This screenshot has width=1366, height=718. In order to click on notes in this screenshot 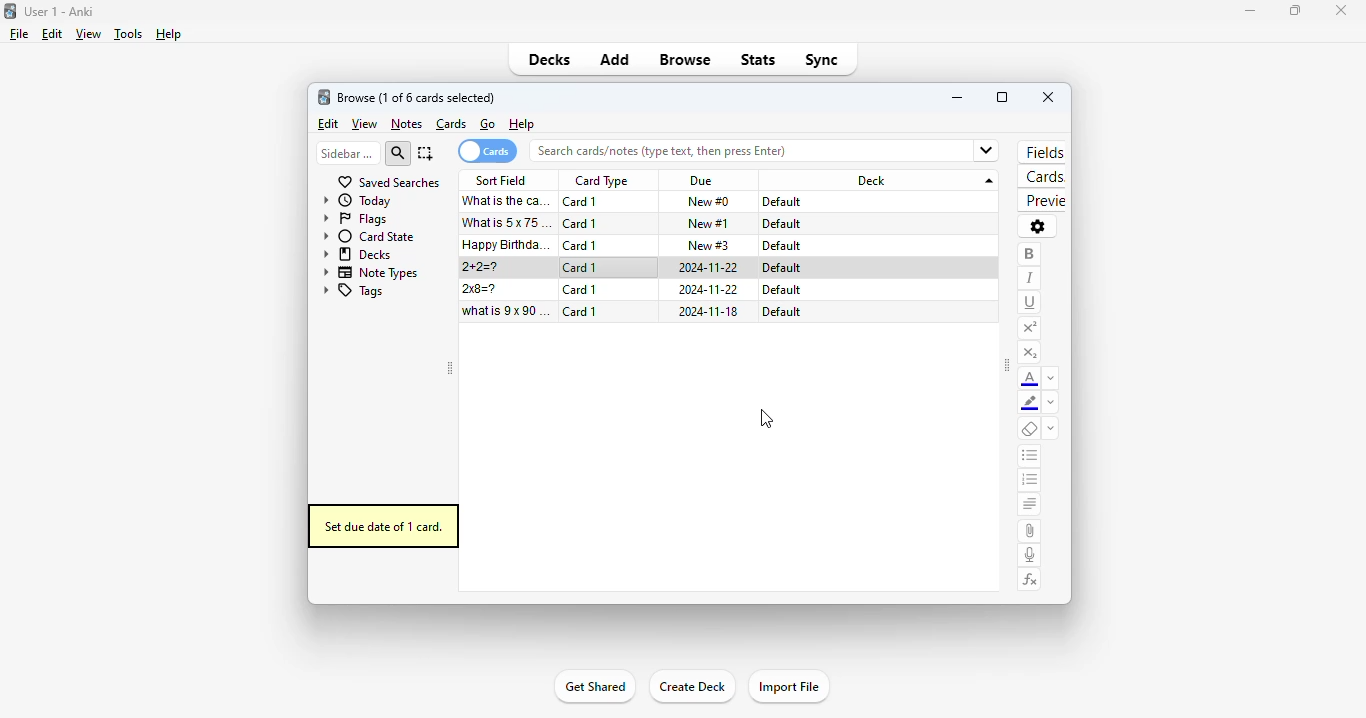, I will do `click(406, 124)`.